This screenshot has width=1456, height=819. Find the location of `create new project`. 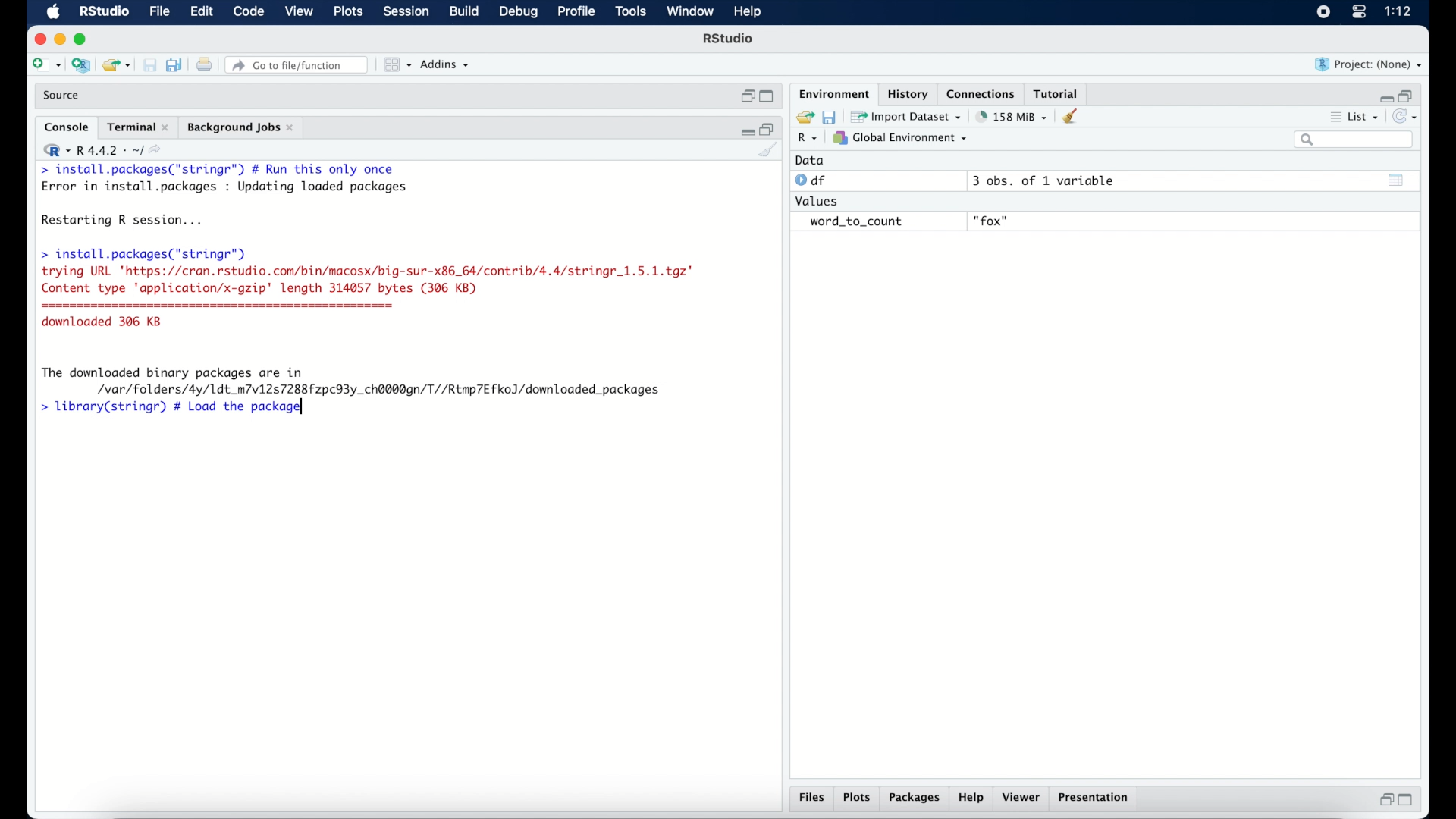

create new project is located at coordinates (80, 66).